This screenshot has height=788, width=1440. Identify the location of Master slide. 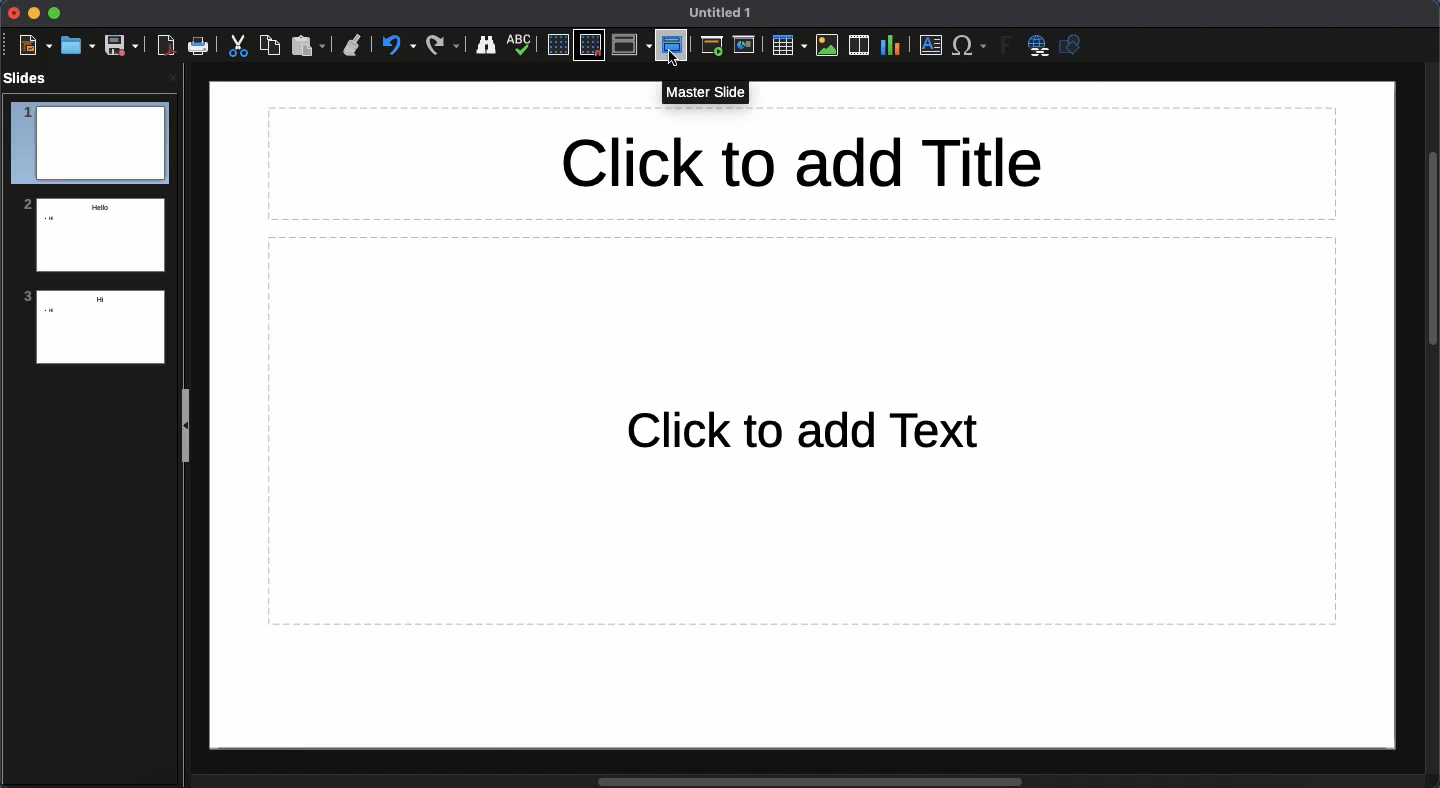
(675, 40).